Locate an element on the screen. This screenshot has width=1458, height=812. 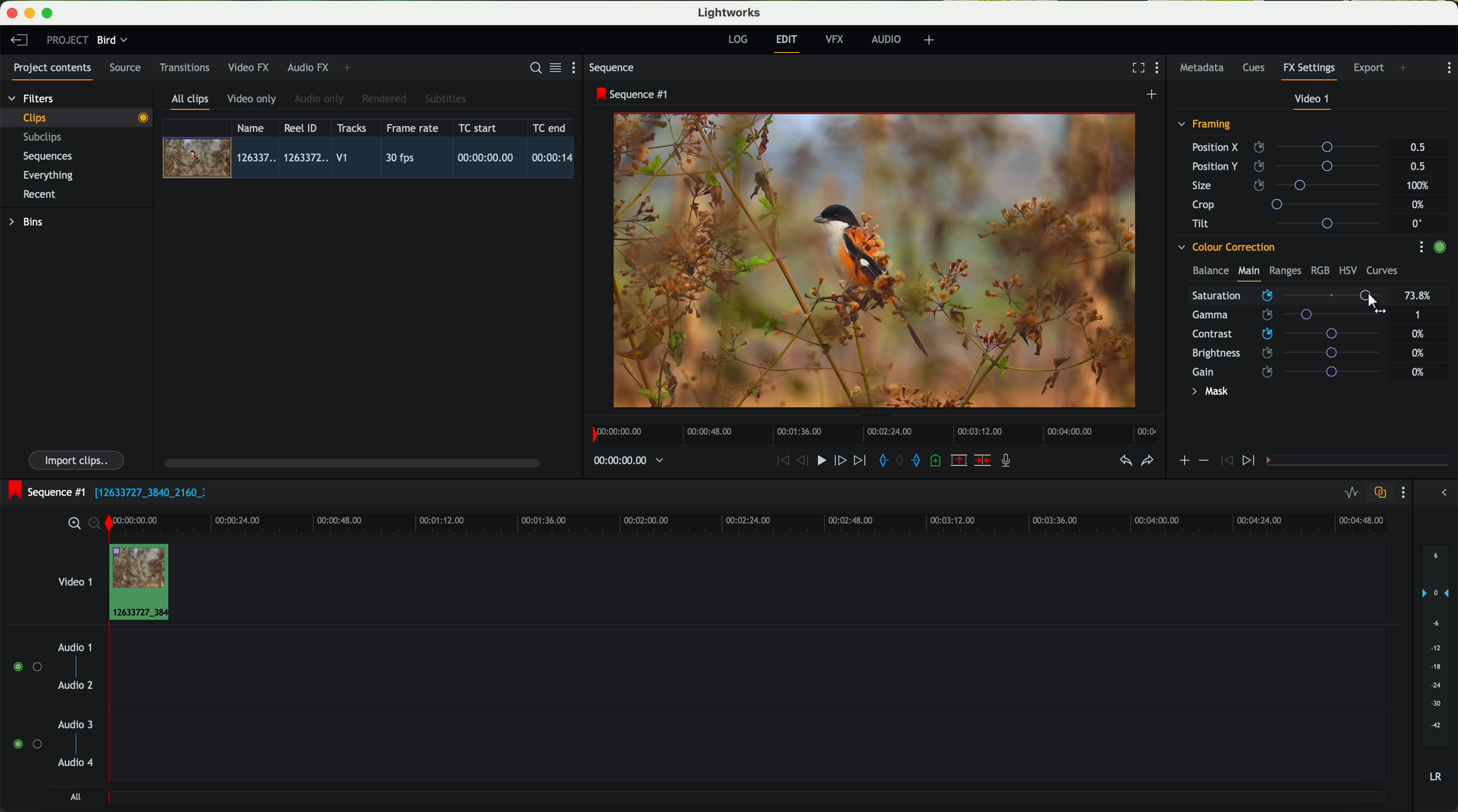
search for assets or bins is located at coordinates (532, 68).